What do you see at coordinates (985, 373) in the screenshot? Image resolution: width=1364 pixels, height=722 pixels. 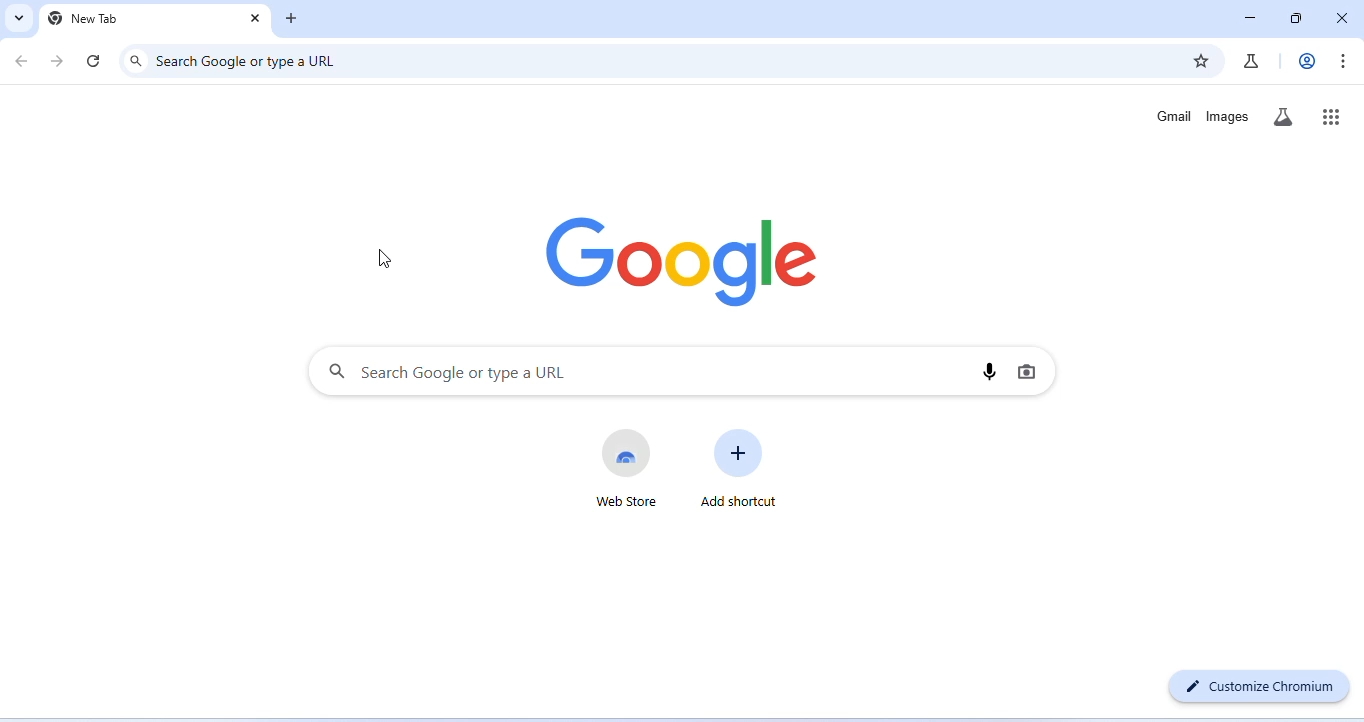 I see `voice search` at bounding box center [985, 373].